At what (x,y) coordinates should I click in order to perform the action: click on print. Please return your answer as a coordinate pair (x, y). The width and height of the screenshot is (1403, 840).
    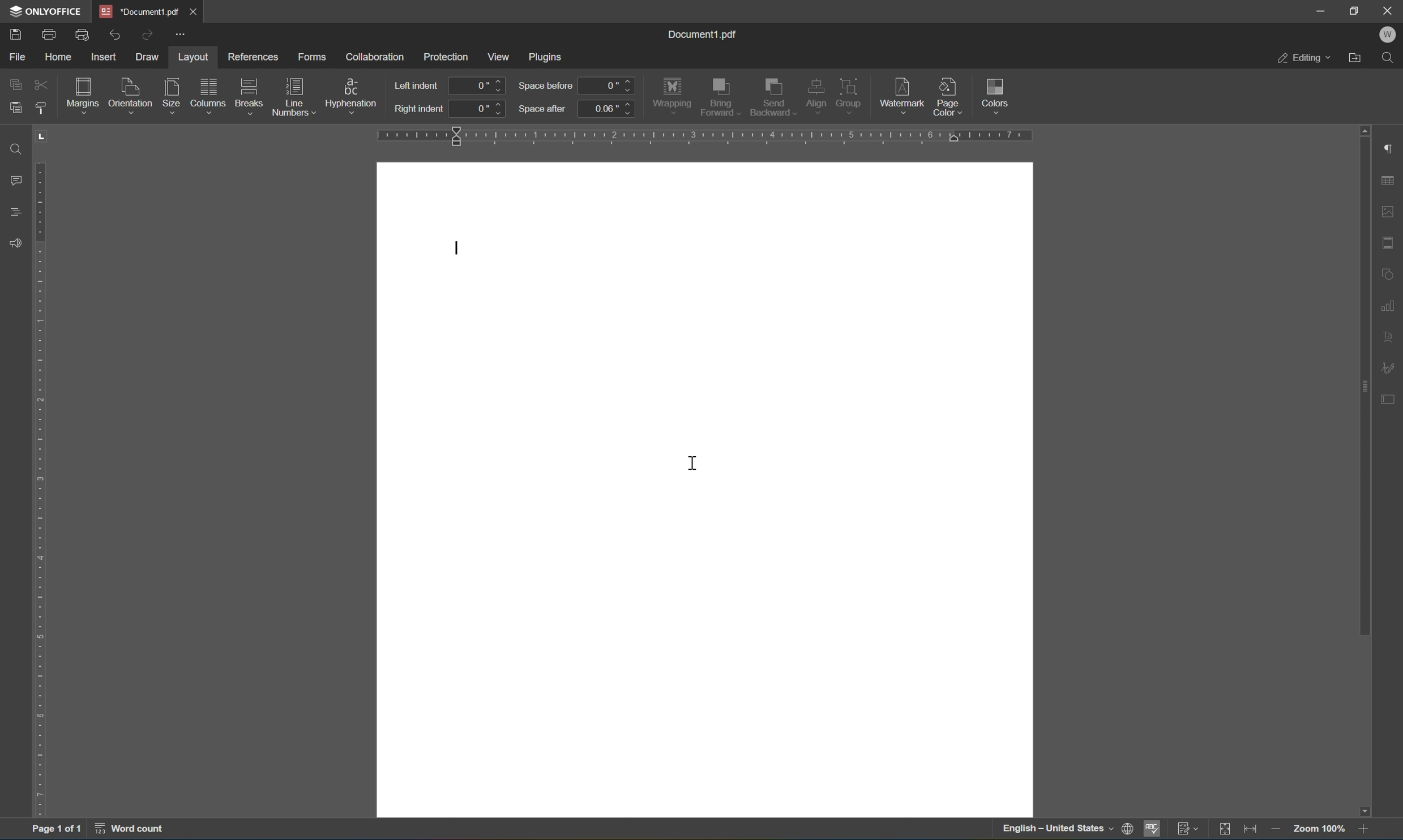
    Looking at the image, I should click on (49, 32).